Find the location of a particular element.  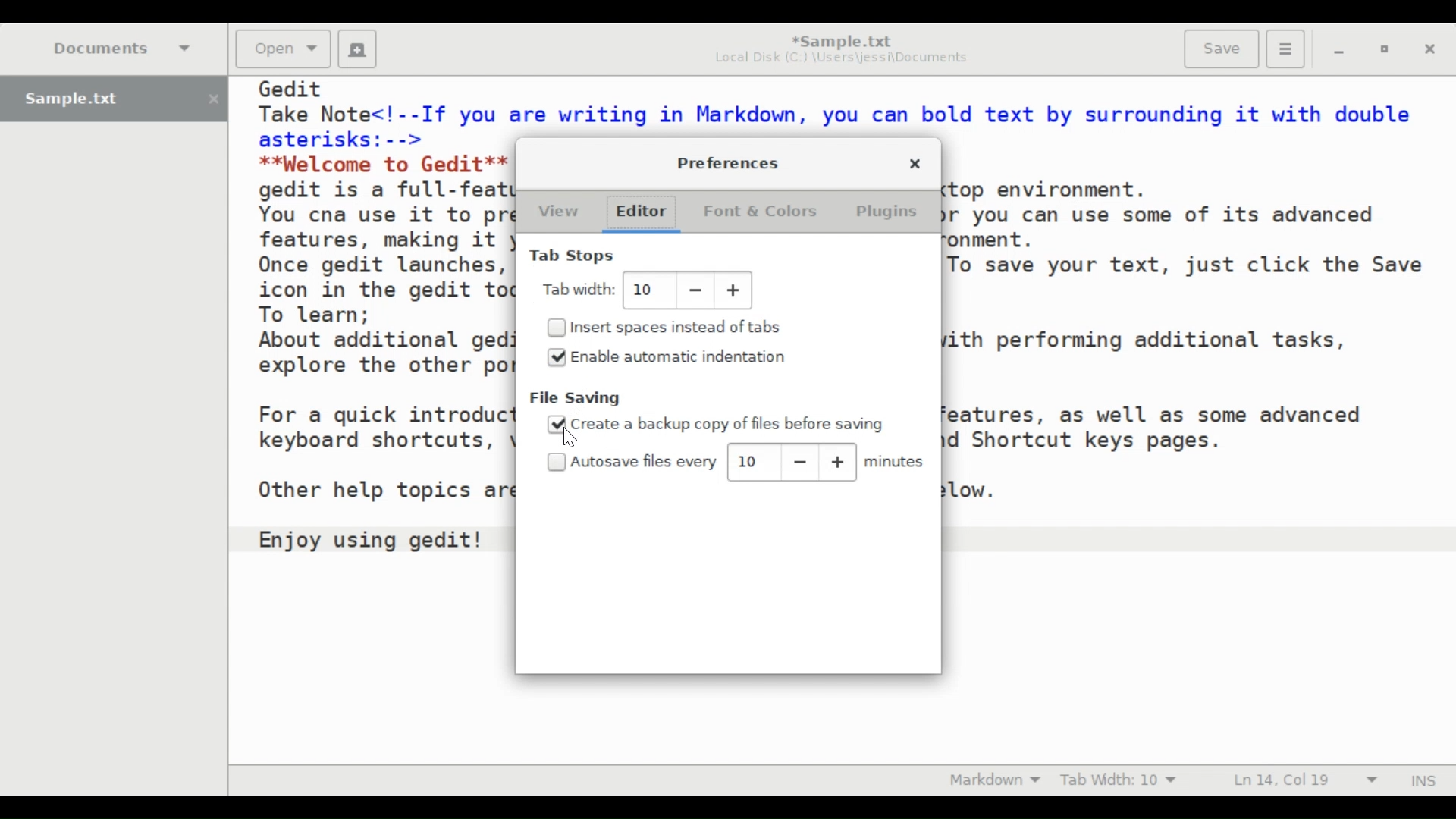

View  is located at coordinates (557, 213).